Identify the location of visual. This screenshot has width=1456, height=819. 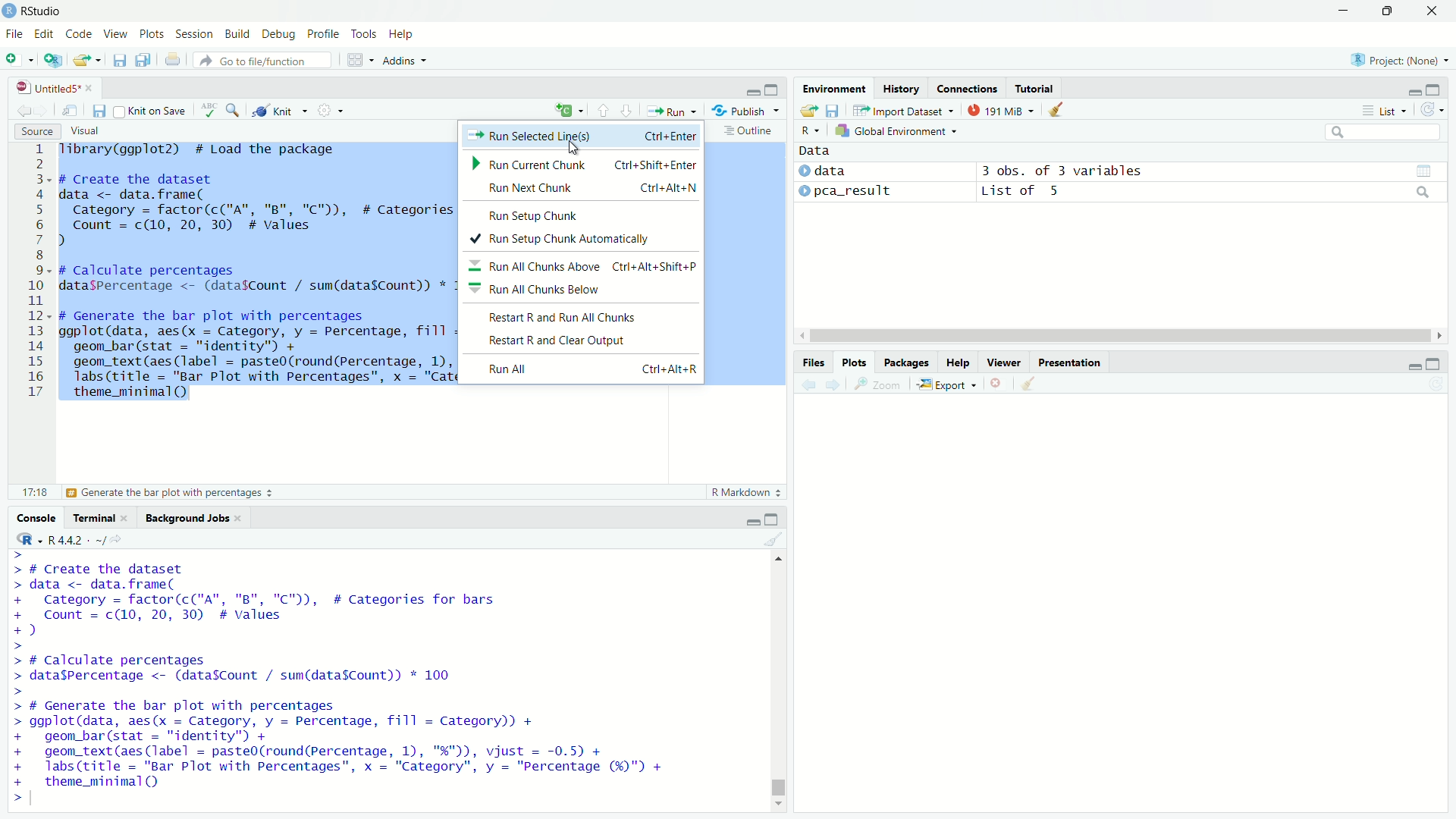
(89, 130).